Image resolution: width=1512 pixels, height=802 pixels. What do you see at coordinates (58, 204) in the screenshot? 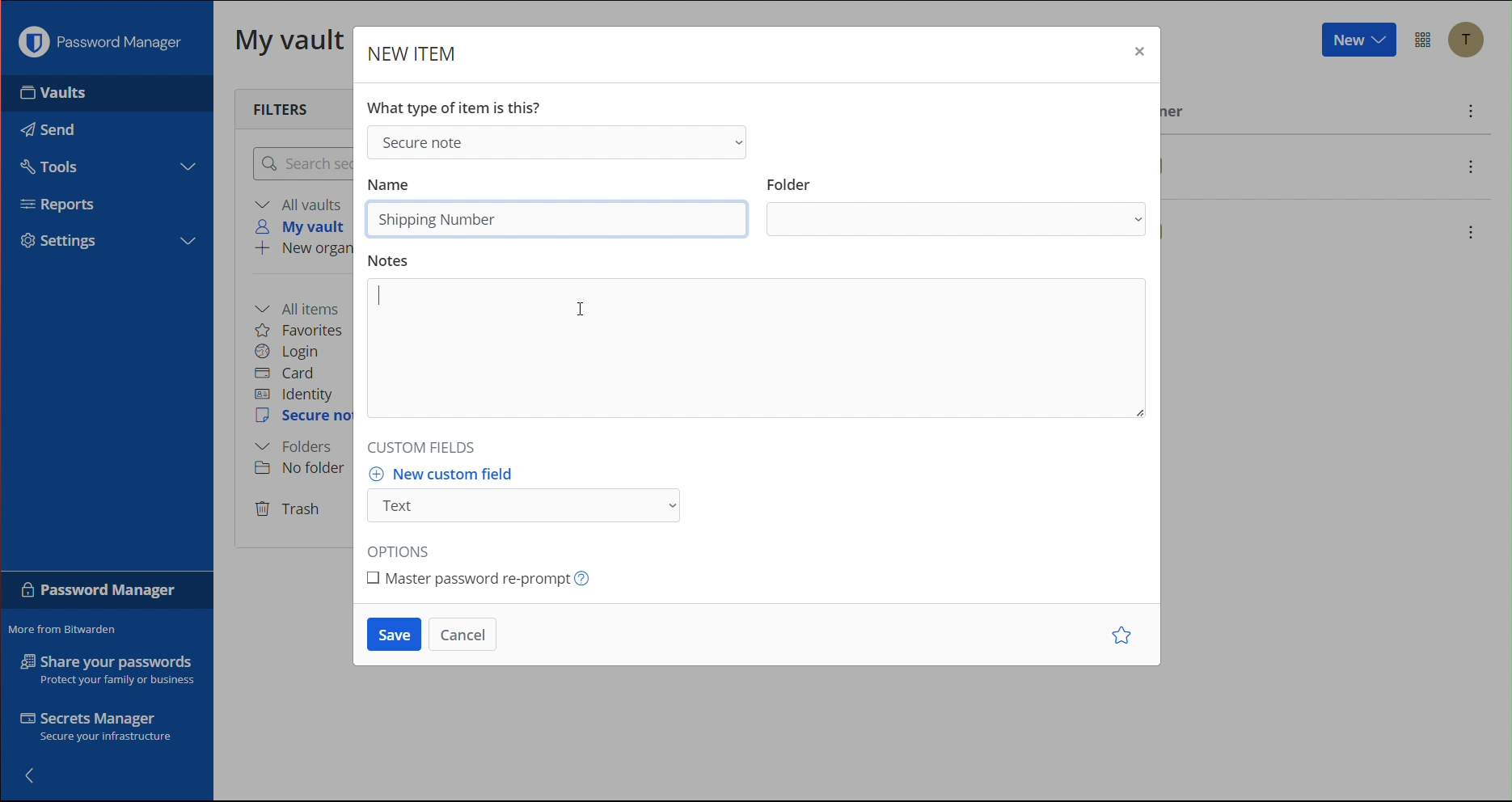
I see `Reports` at bounding box center [58, 204].